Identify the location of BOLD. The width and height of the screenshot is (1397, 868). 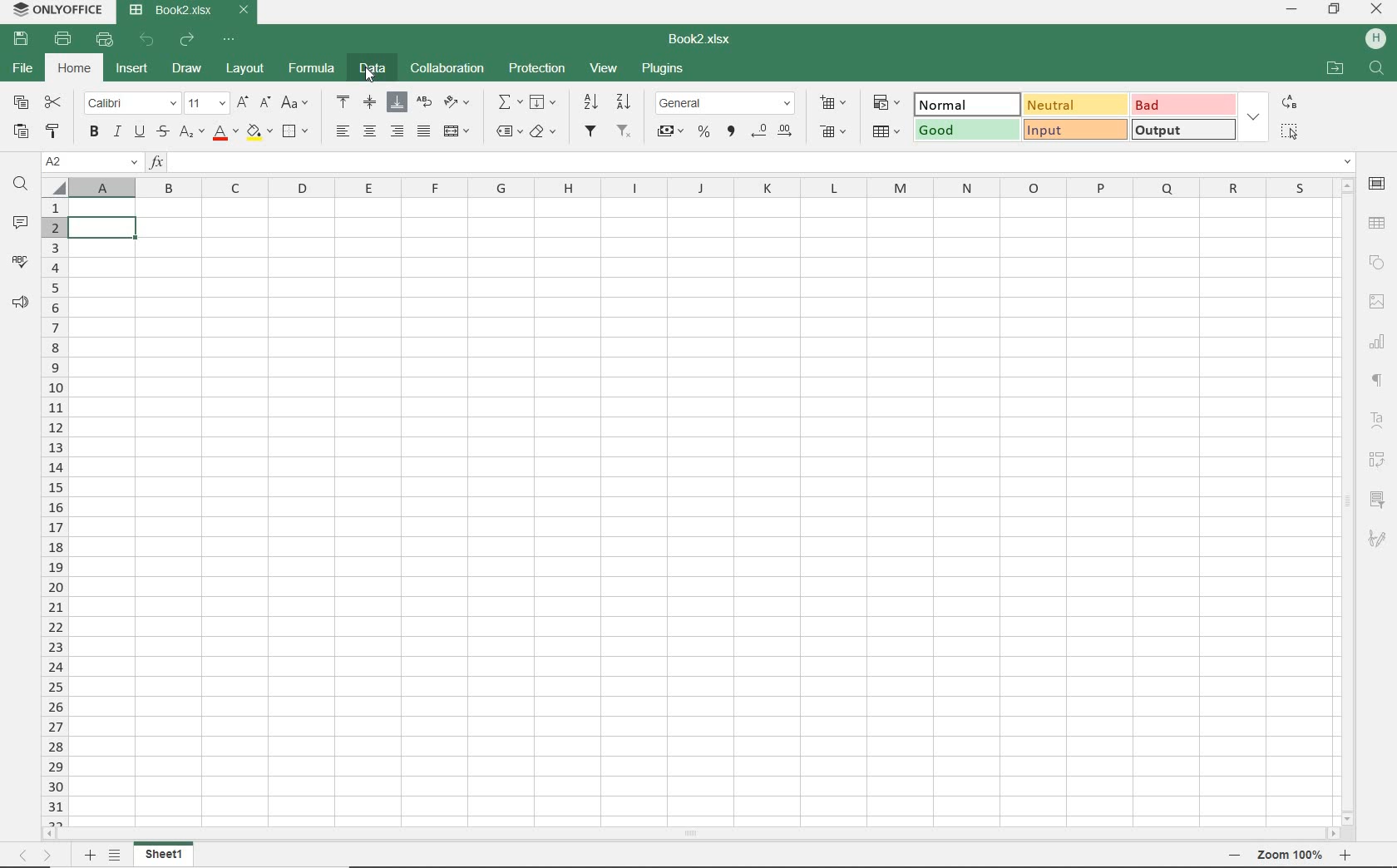
(95, 133).